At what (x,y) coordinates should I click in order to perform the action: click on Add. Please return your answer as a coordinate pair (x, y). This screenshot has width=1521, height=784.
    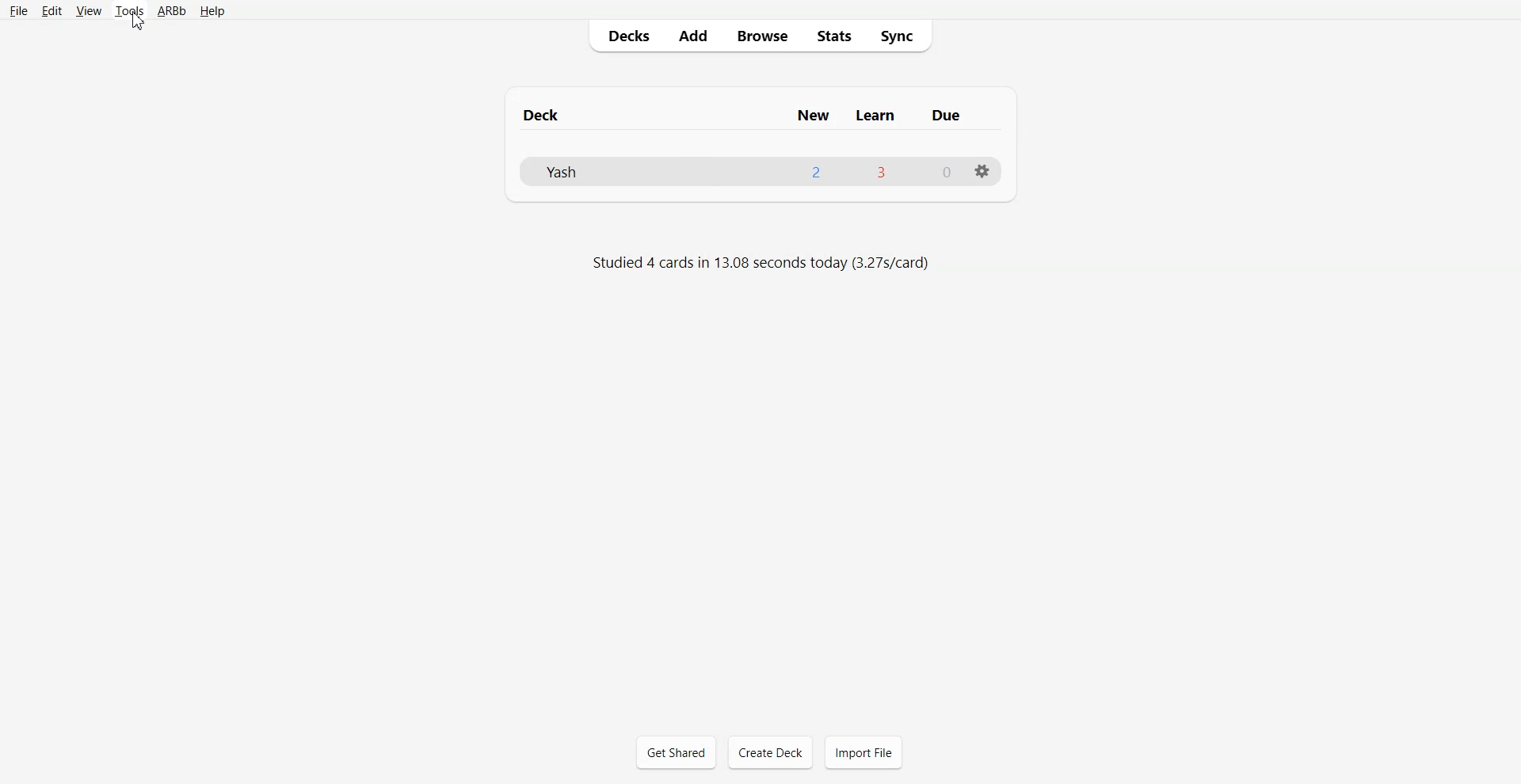
    Looking at the image, I should click on (692, 36).